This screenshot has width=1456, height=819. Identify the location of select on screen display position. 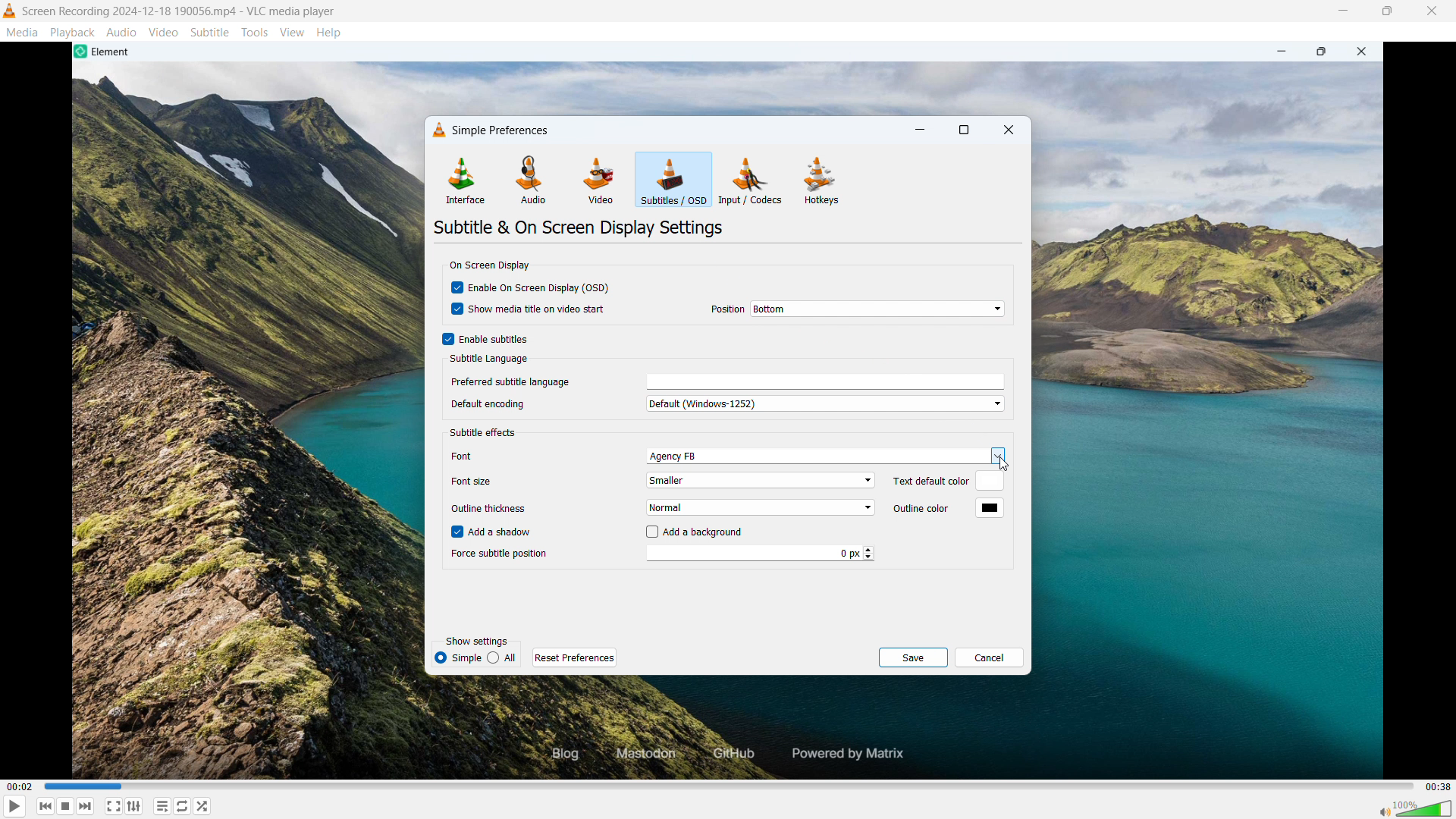
(877, 309).